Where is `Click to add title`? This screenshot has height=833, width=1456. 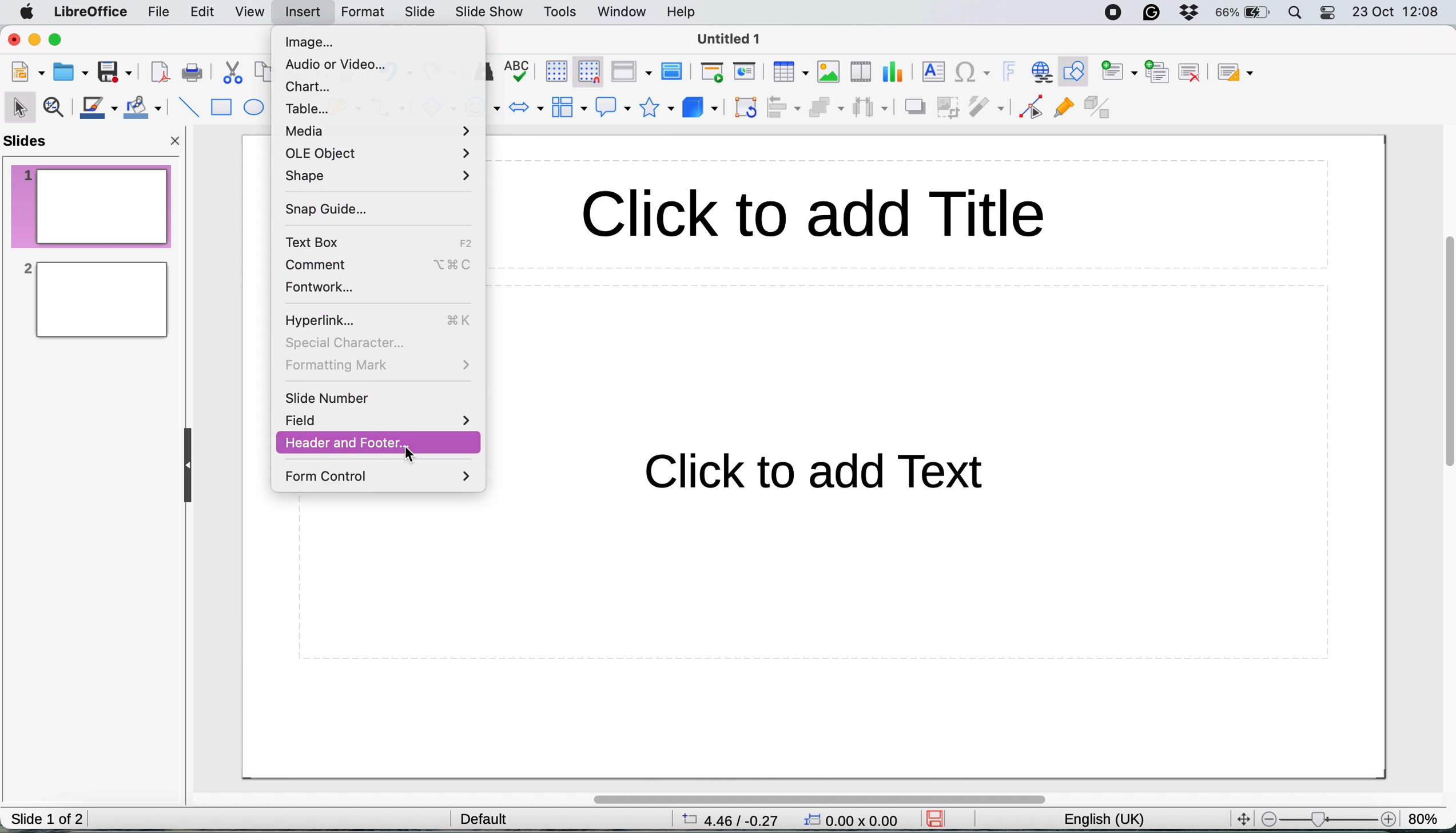
Click to add title is located at coordinates (910, 213).